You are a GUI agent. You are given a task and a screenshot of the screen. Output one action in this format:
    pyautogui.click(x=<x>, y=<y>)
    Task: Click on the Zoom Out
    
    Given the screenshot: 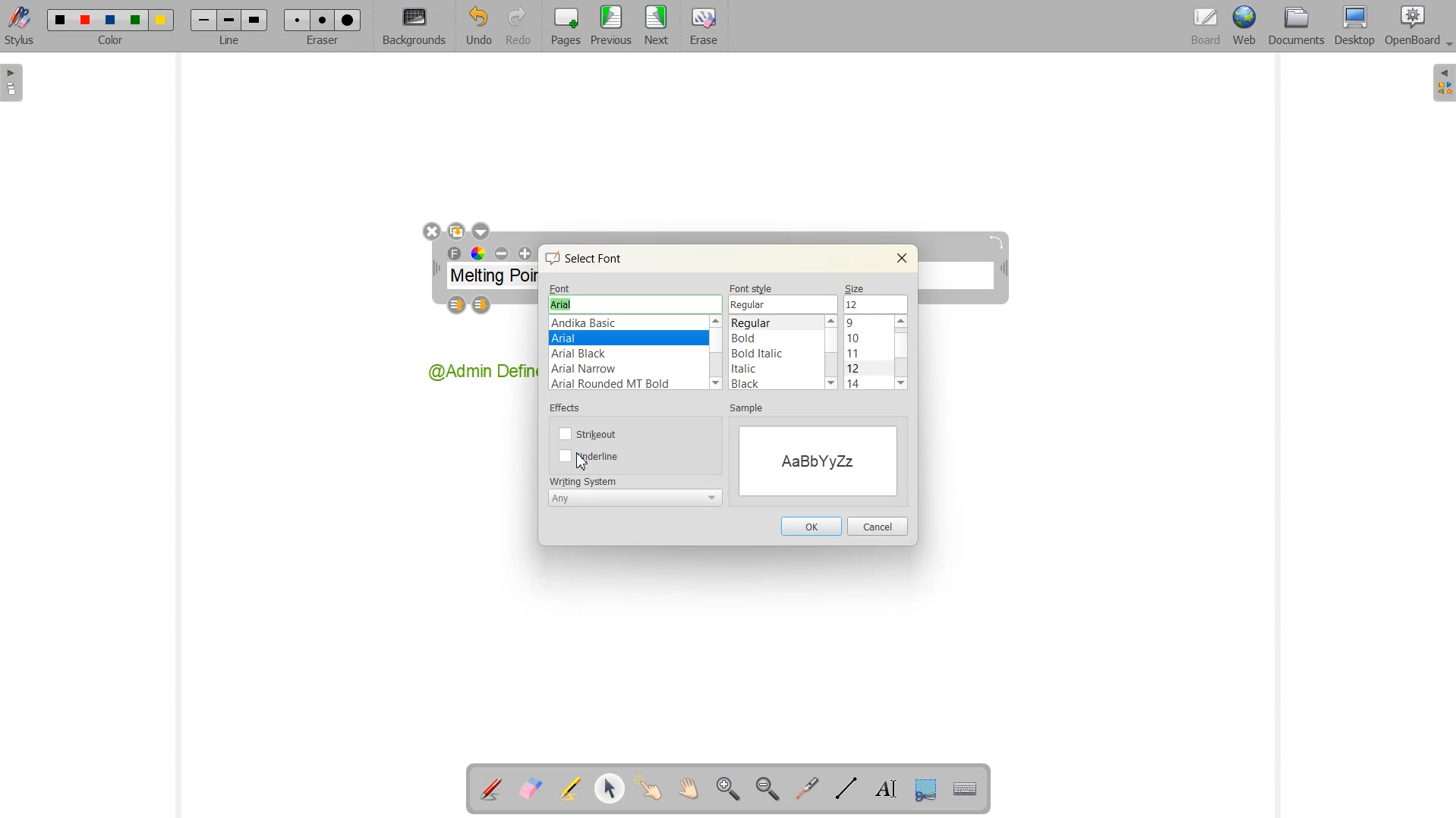 What is the action you would take?
    pyautogui.click(x=767, y=788)
    